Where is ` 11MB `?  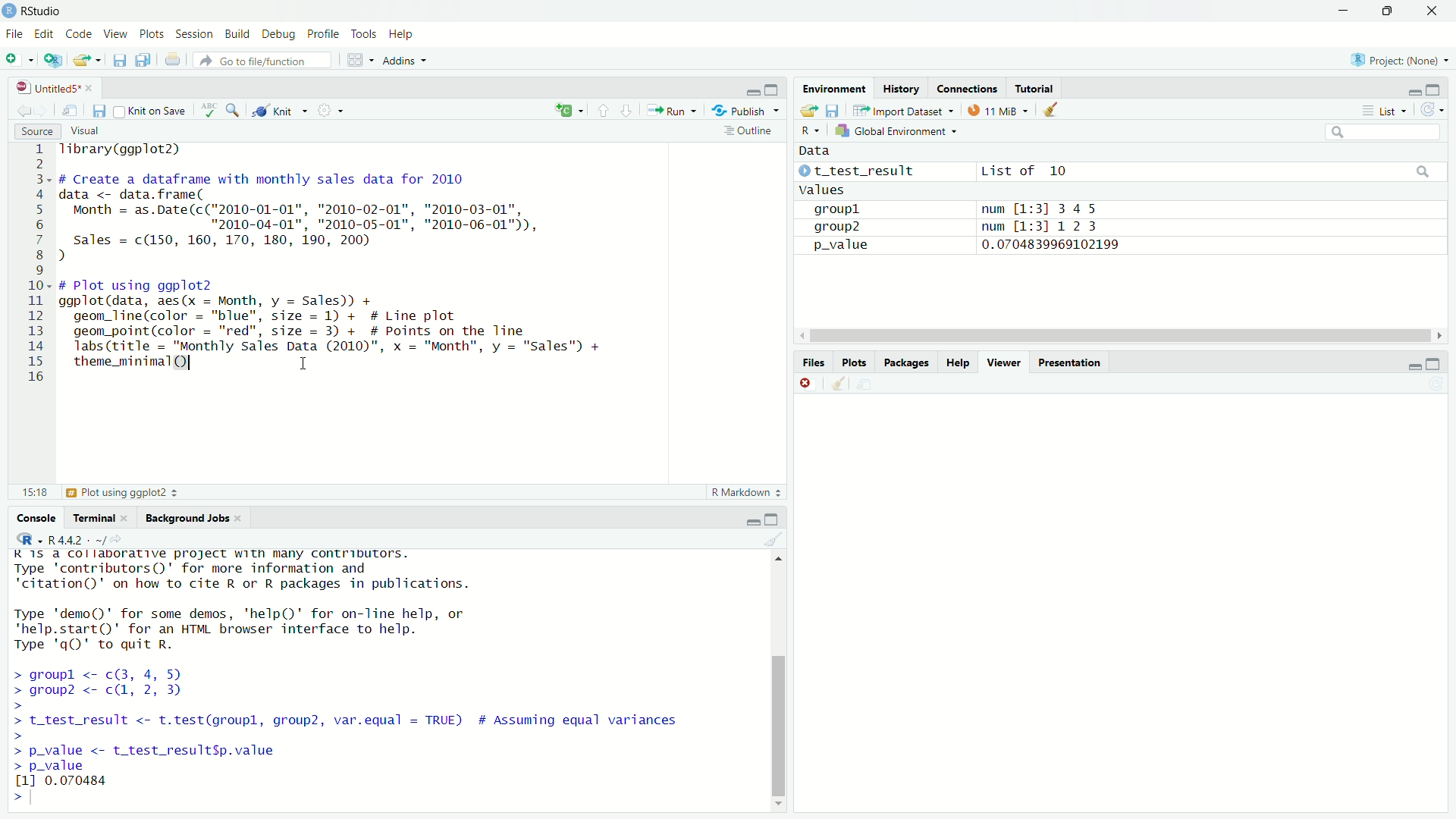
 11MB  is located at coordinates (998, 110).